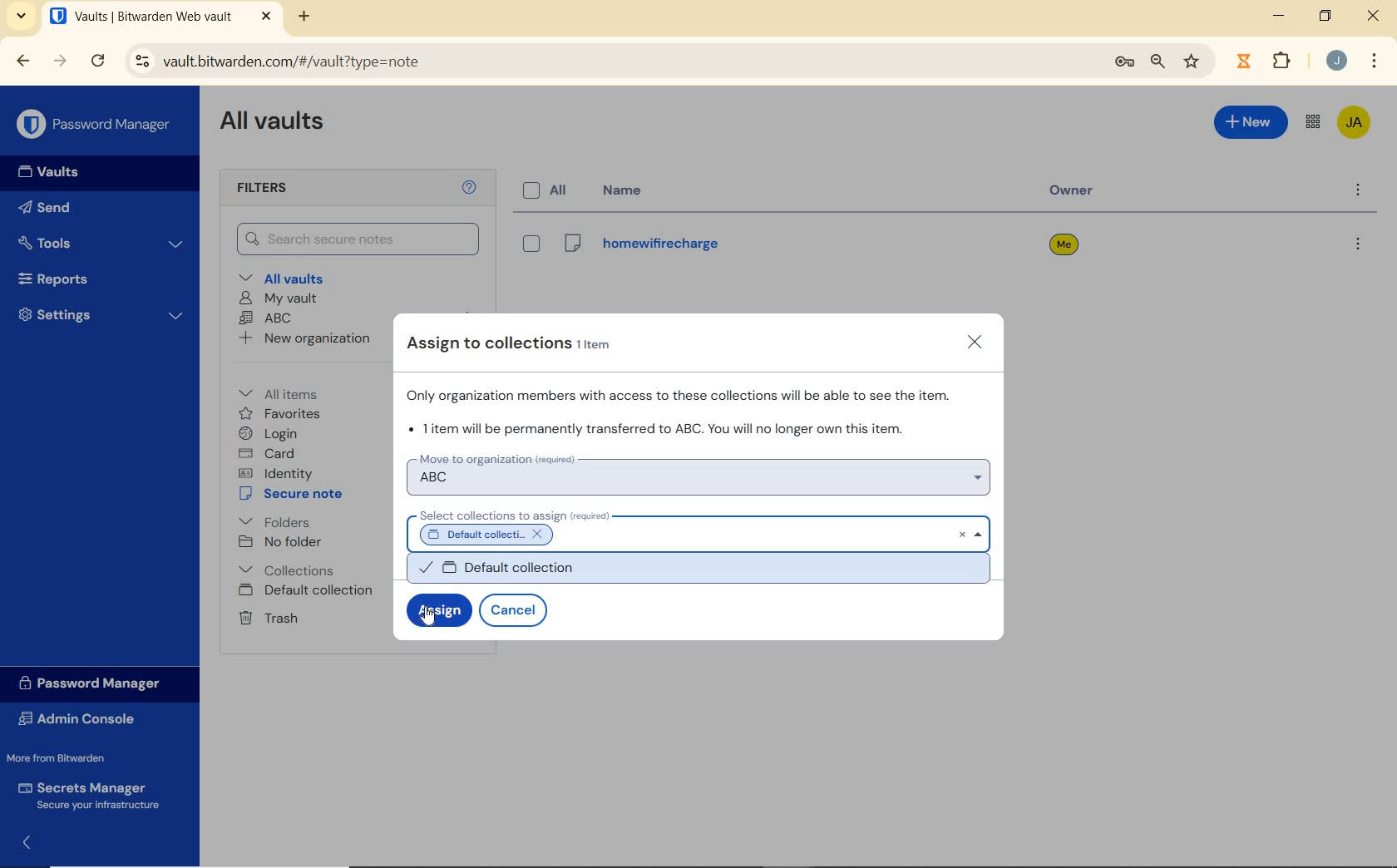 The width and height of the screenshot is (1397, 868). I want to click on more options, so click(1356, 246).